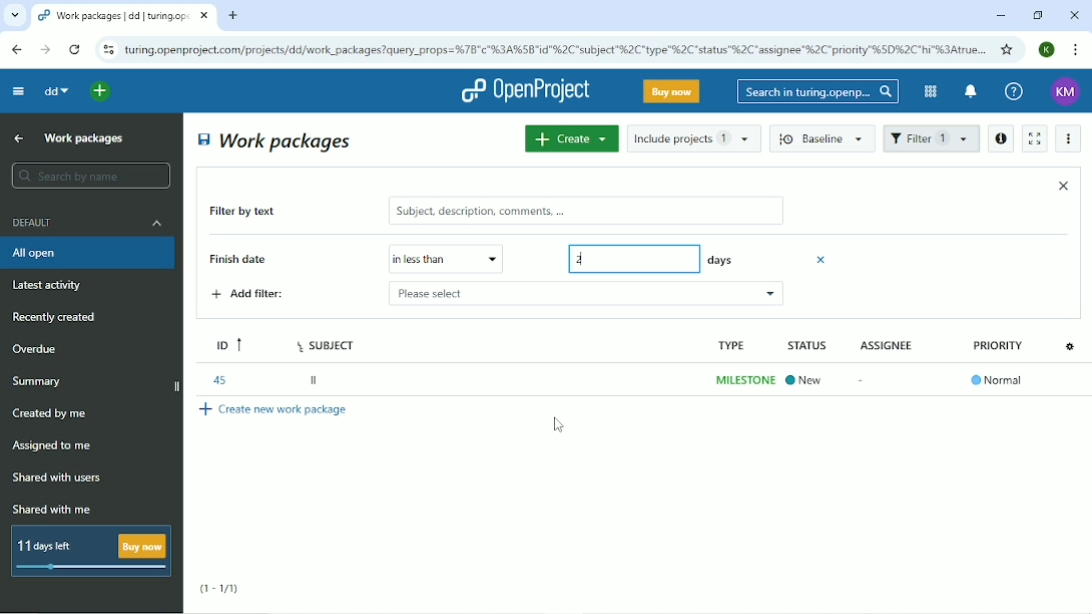  Describe the element at coordinates (53, 414) in the screenshot. I see `Created by me` at that location.